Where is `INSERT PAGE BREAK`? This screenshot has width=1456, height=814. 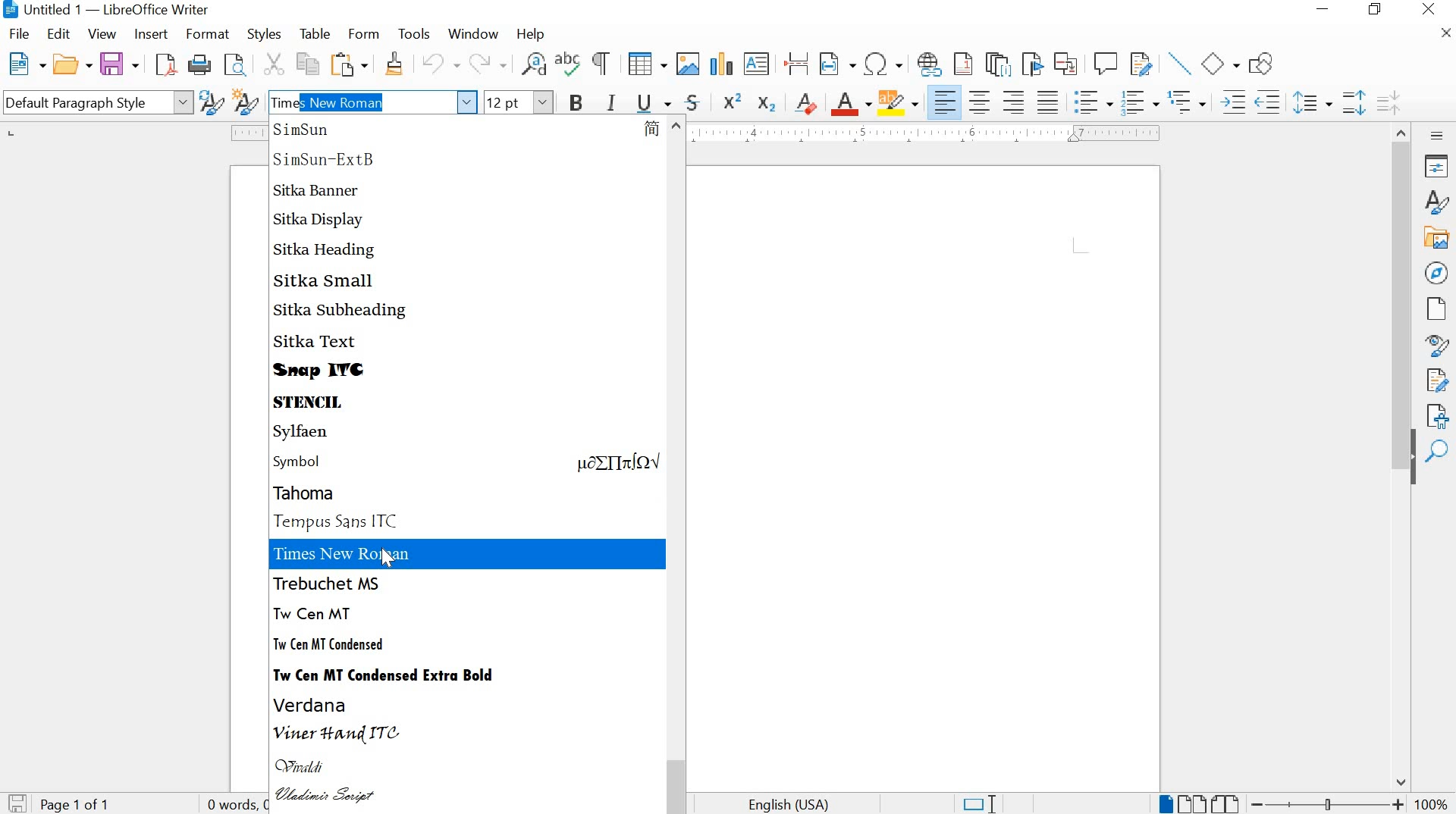 INSERT PAGE BREAK is located at coordinates (798, 64).